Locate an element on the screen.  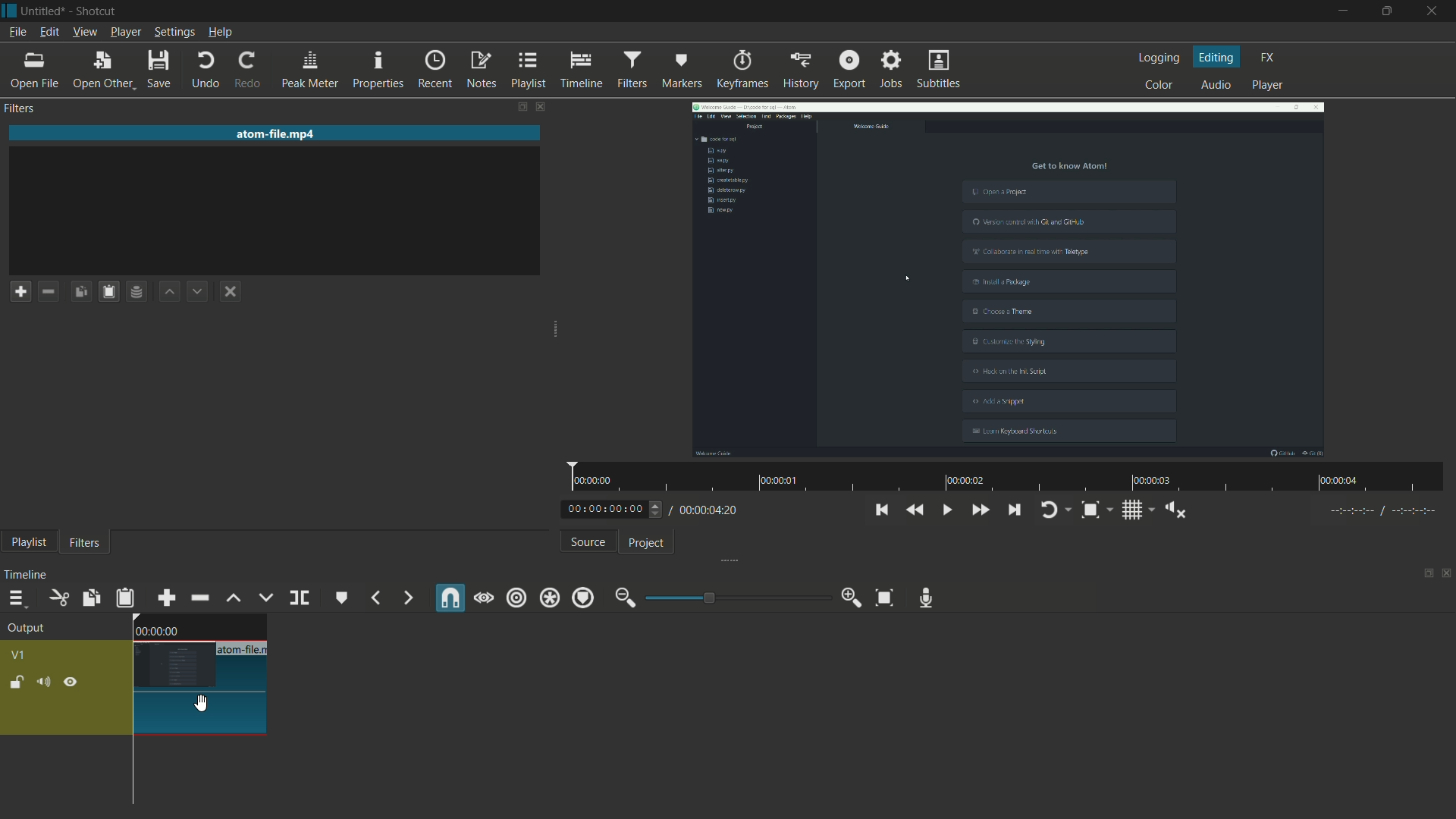
quickly play backward is located at coordinates (915, 510).